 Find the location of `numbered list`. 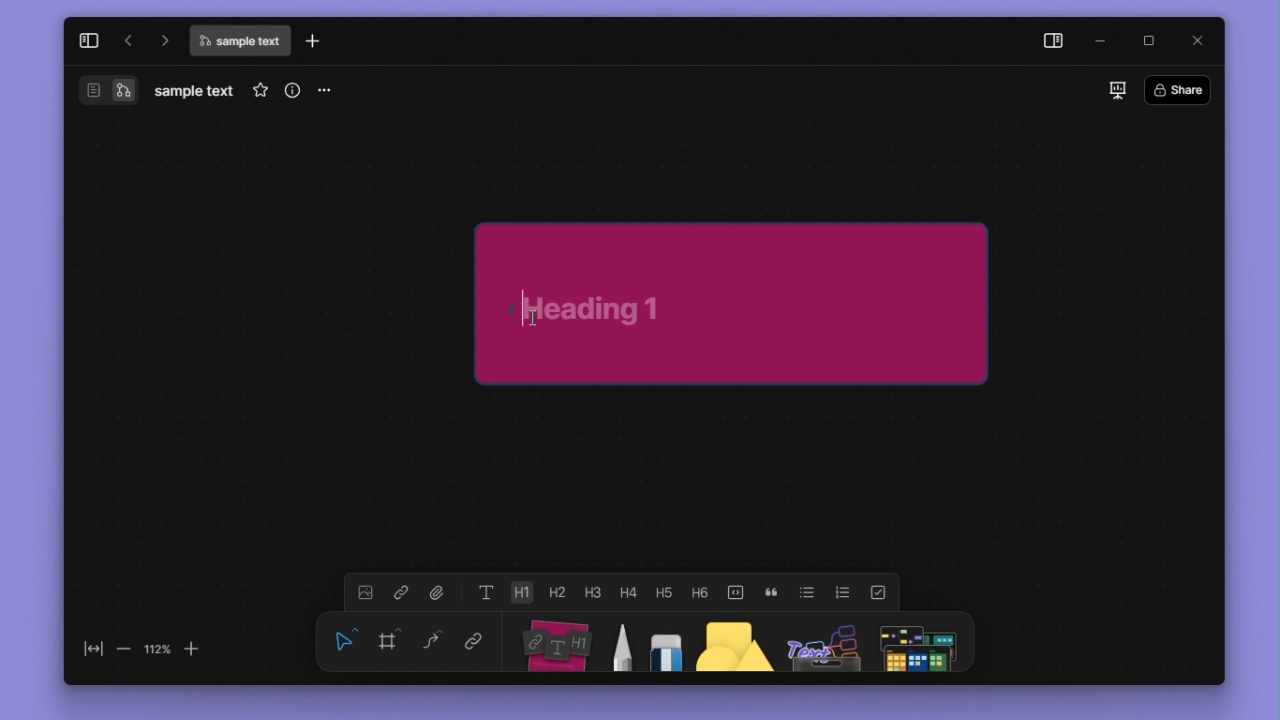

numbered list is located at coordinates (843, 593).